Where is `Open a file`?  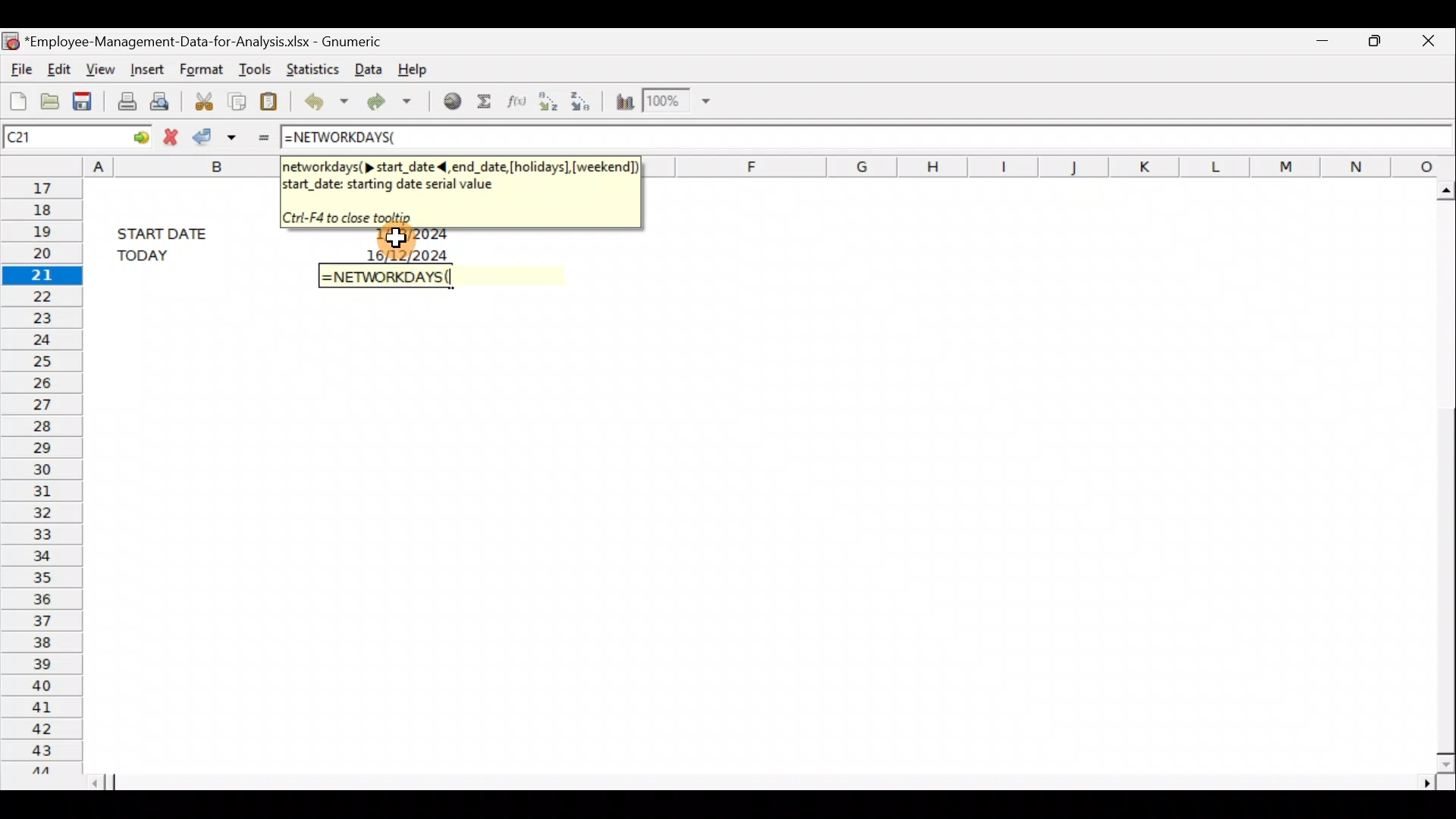 Open a file is located at coordinates (49, 99).